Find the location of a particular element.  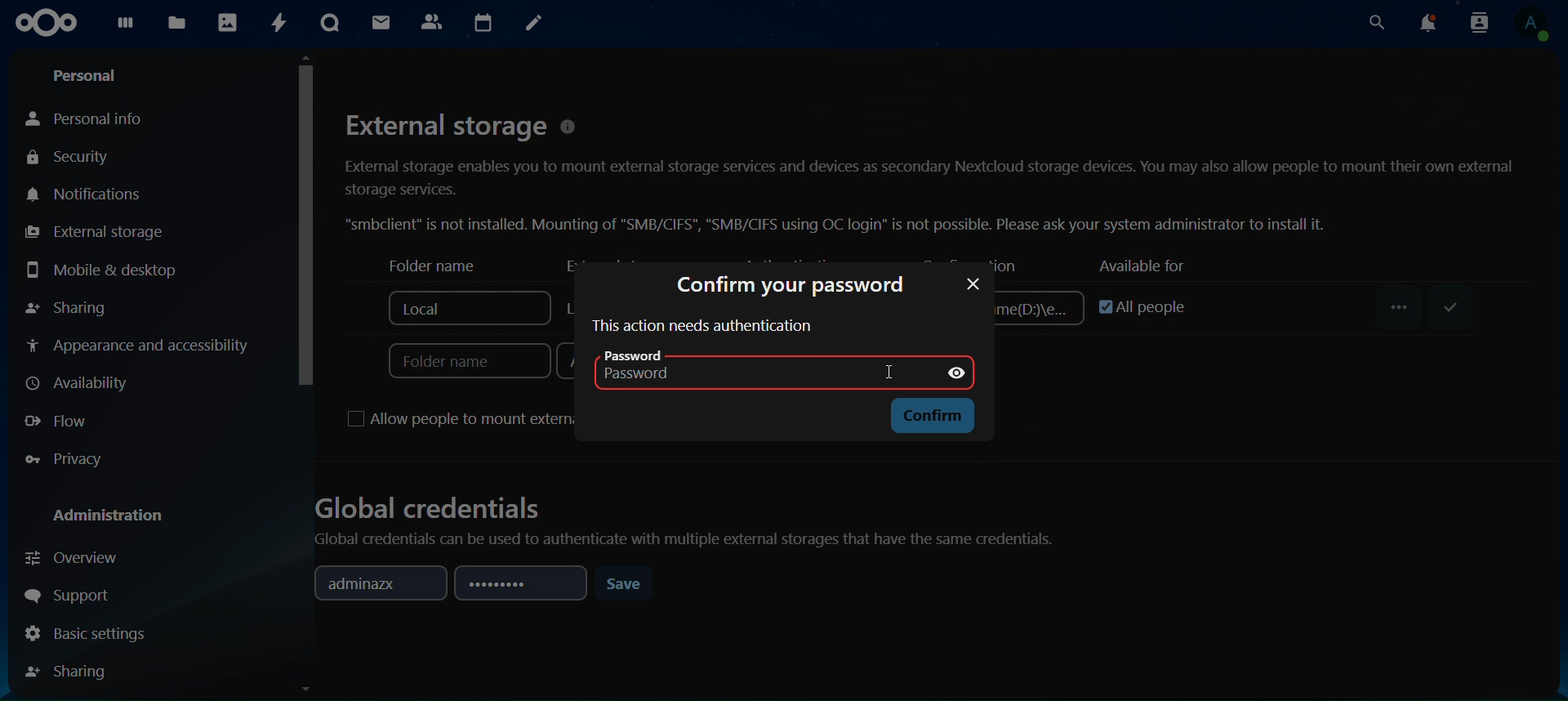

flow is located at coordinates (60, 422).